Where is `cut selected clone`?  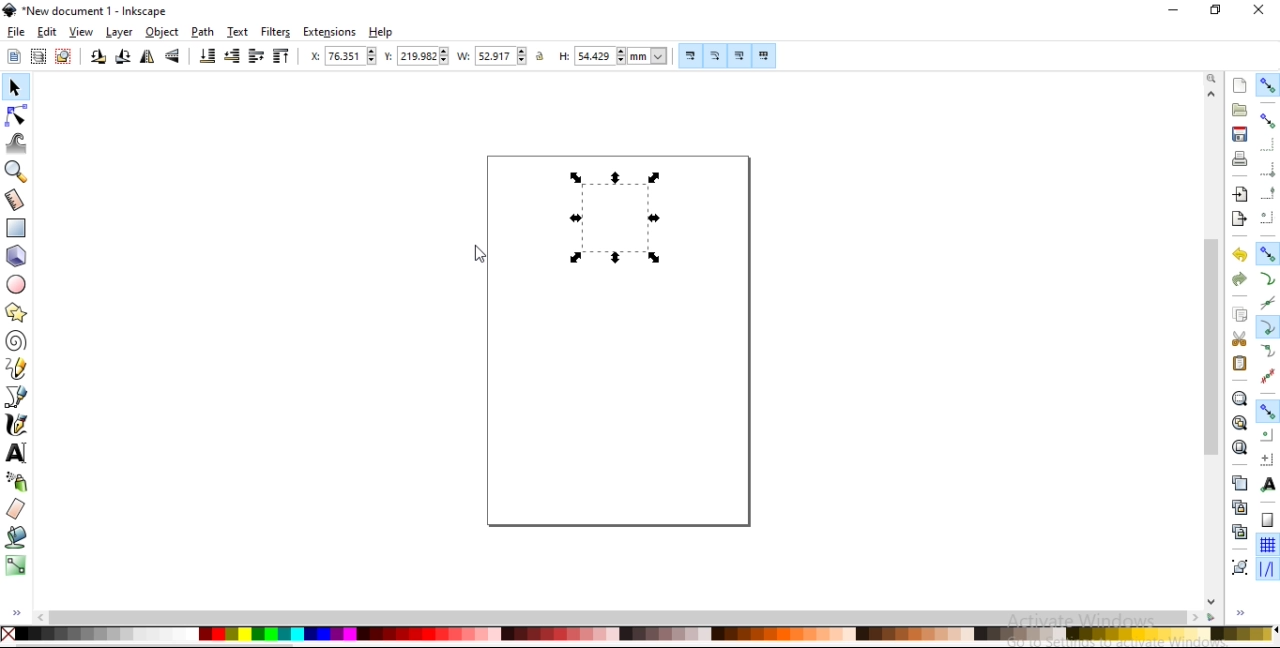 cut selected clone is located at coordinates (1237, 533).